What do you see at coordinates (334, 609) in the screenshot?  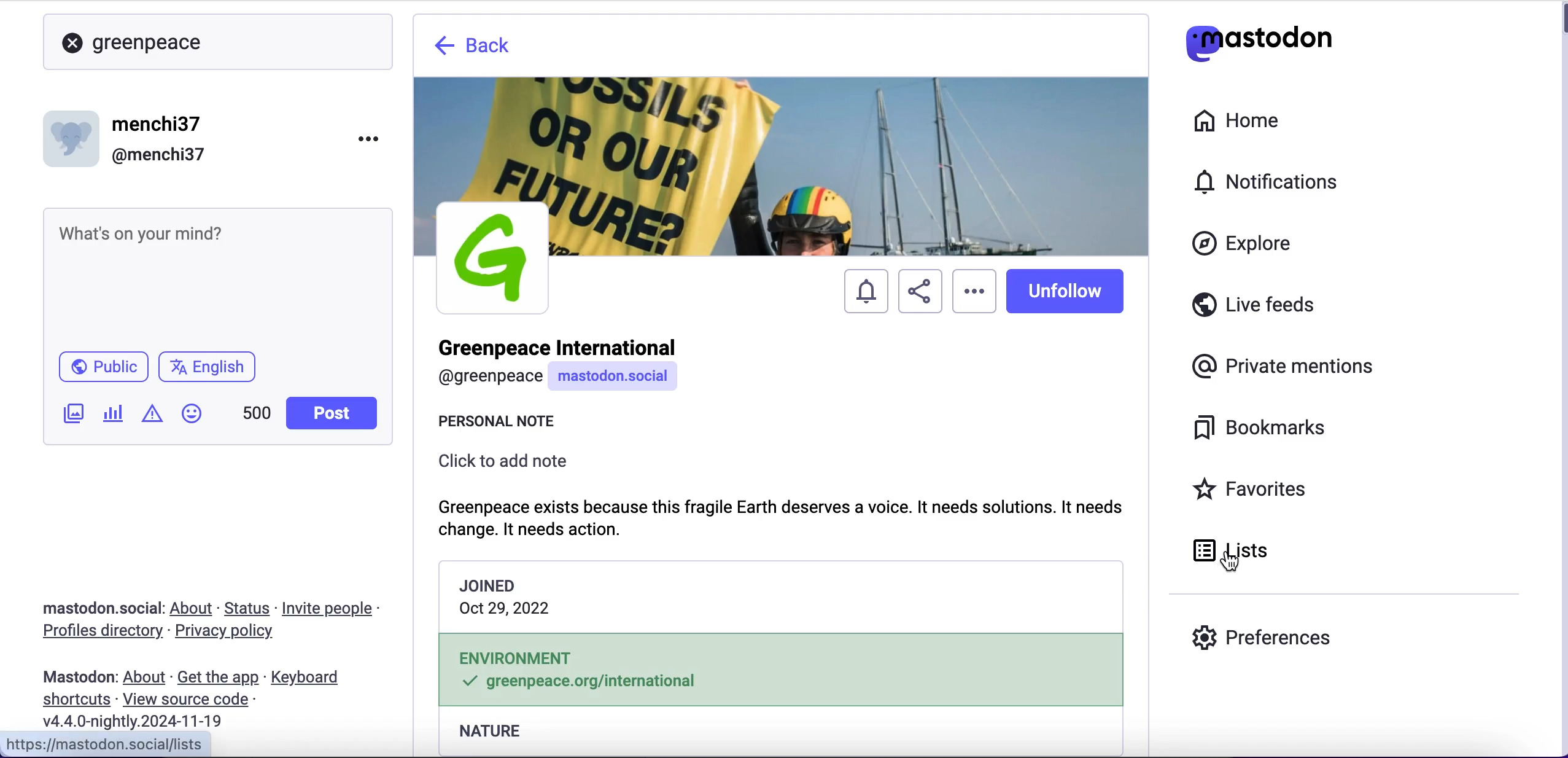 I see `invite people` at bounding box center [334, 609].